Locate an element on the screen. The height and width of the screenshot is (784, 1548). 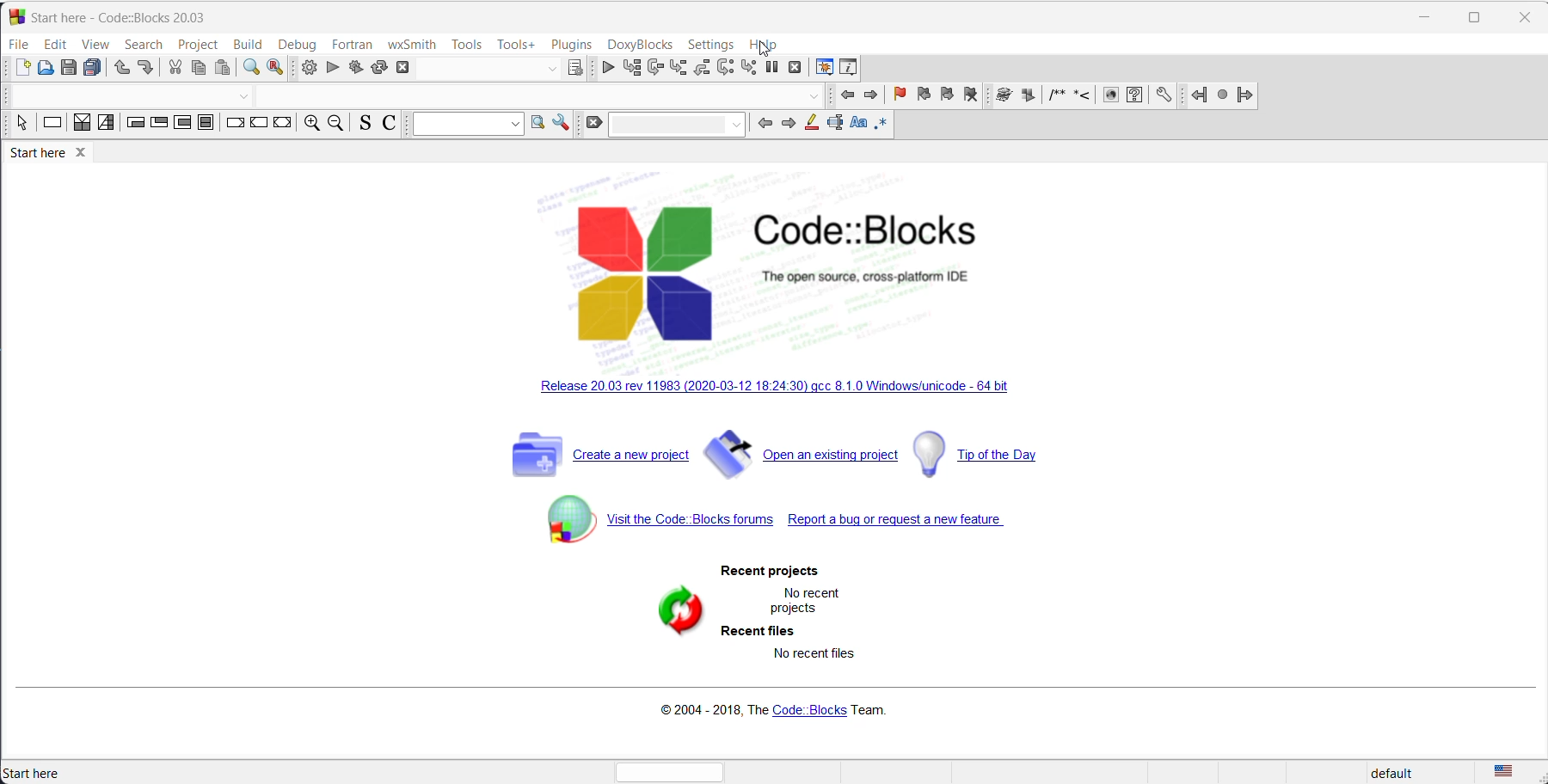
cut is located at coordinates (173, 68).